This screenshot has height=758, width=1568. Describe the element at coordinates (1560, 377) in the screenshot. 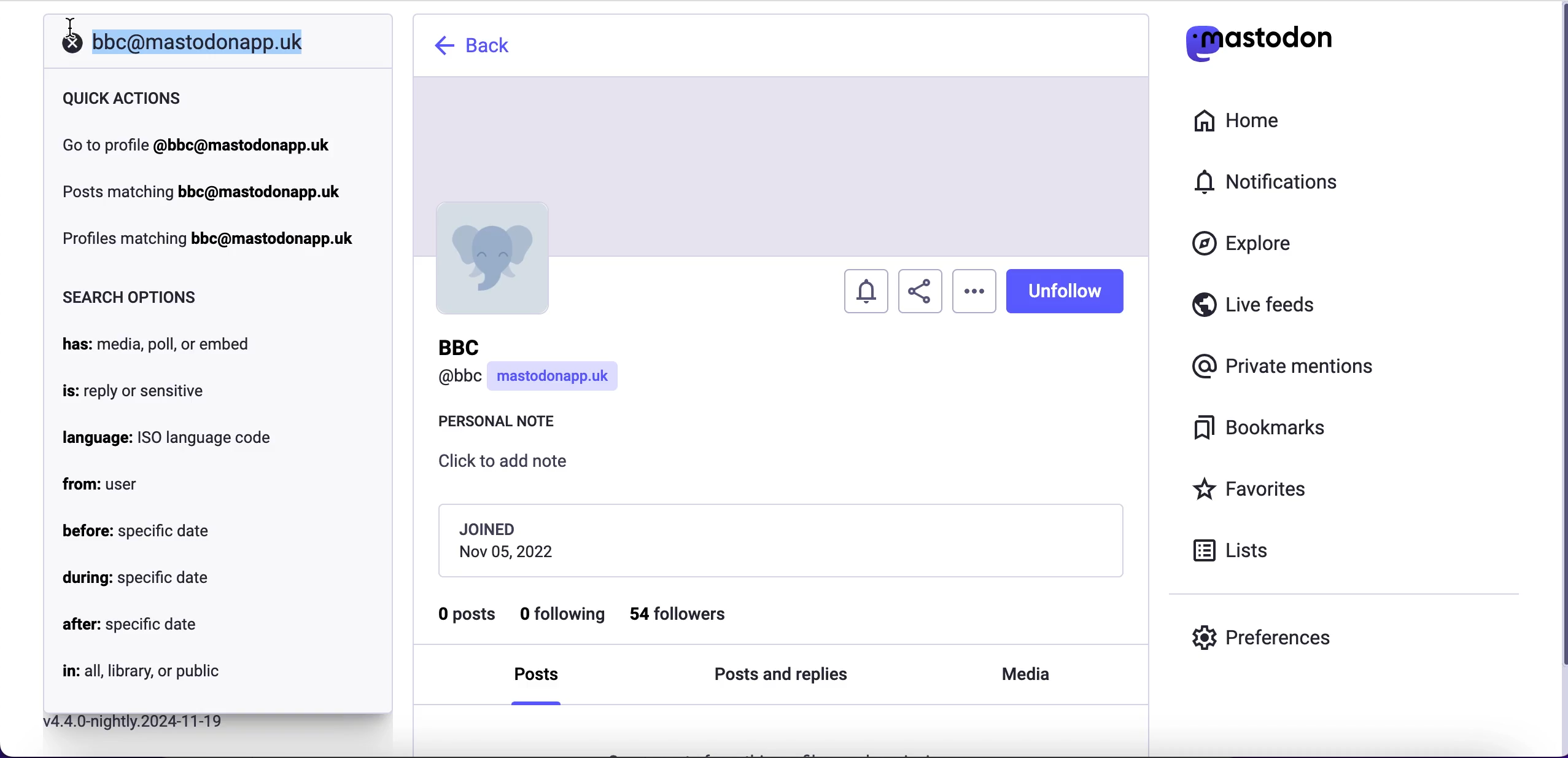

I see `scroll bar` at that location.